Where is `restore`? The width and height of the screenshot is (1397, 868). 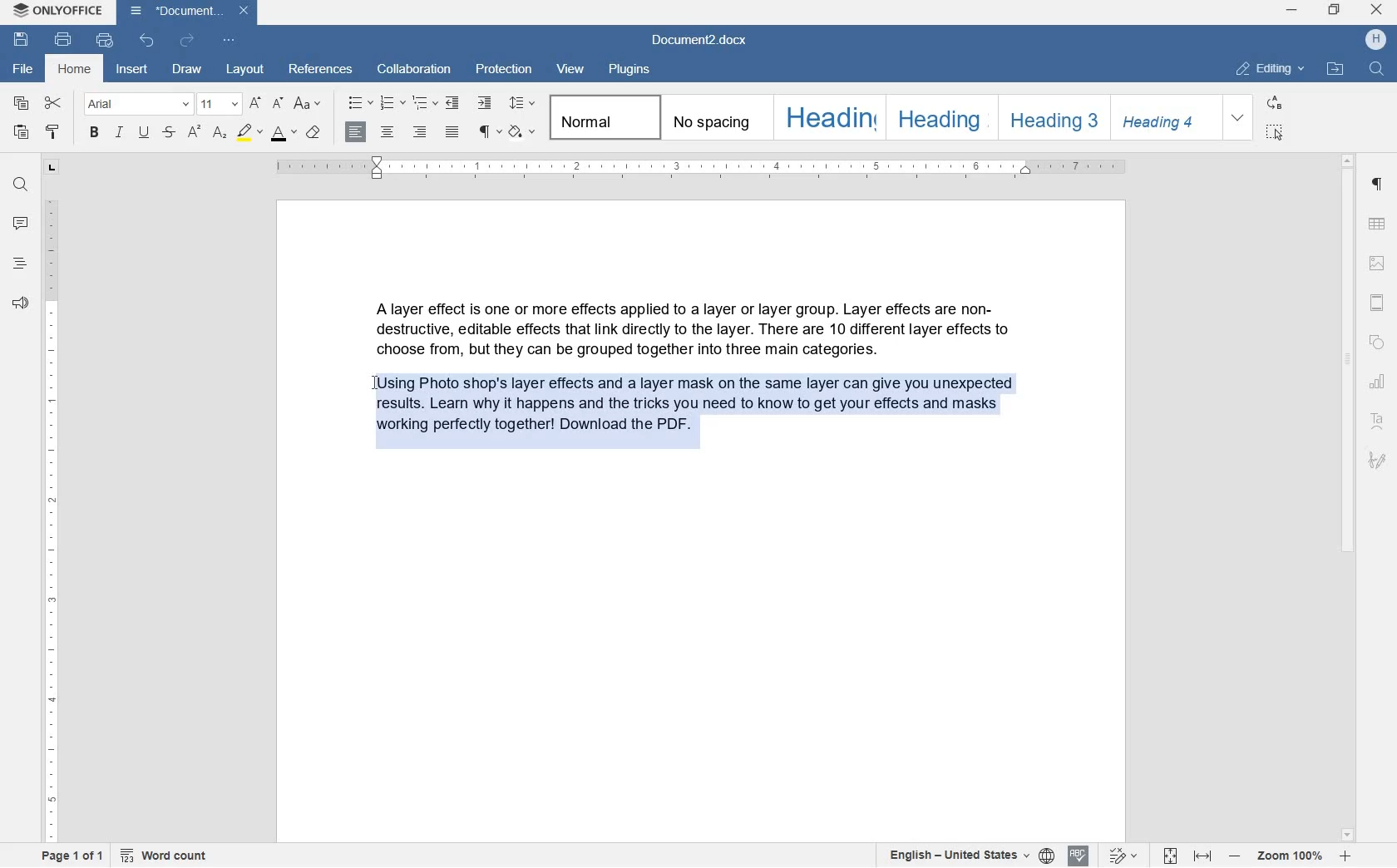 restore is located at coordinates (1333, 11).